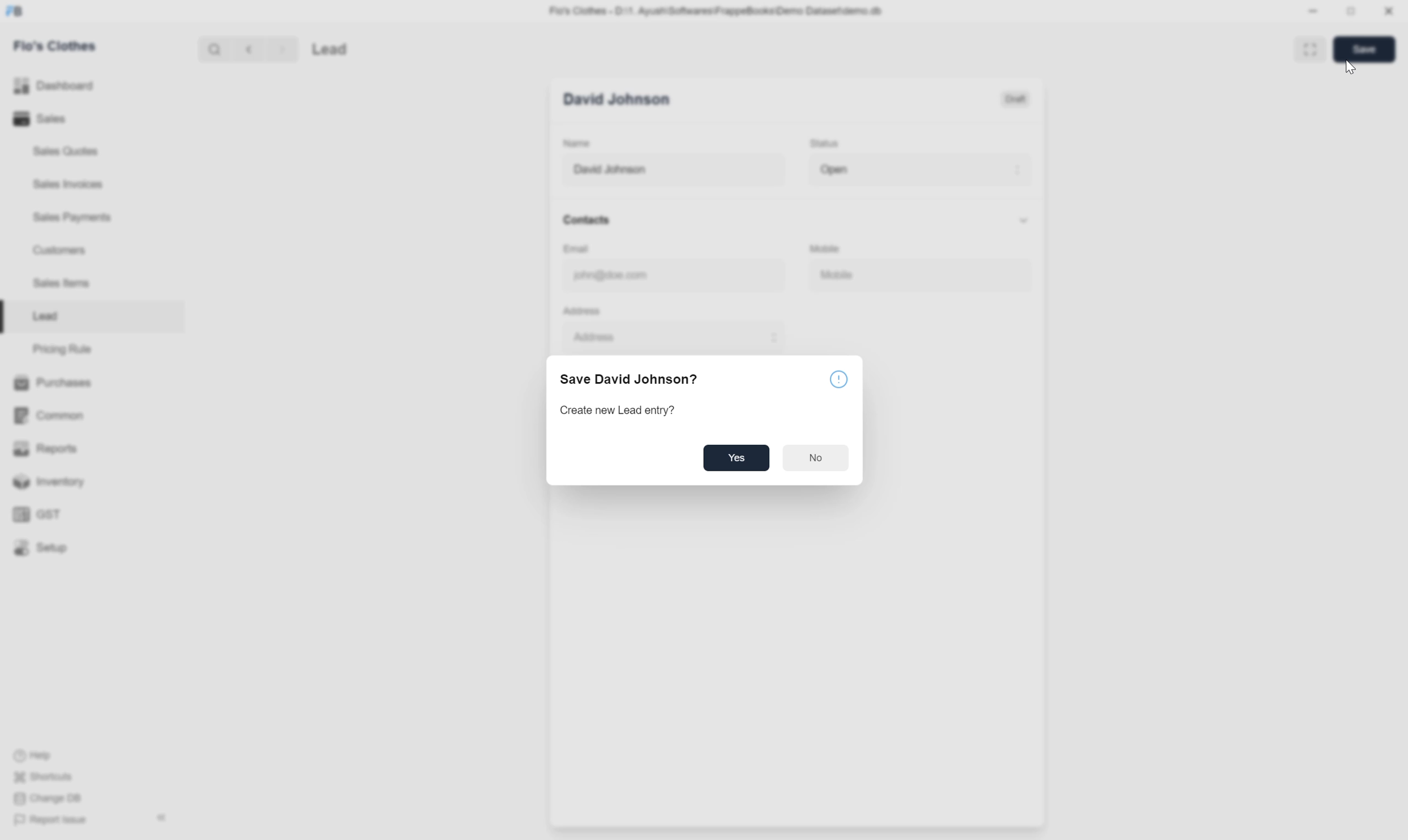 This screenshot has height=840, width=1408. I want to click on GST, so click(39, 515).